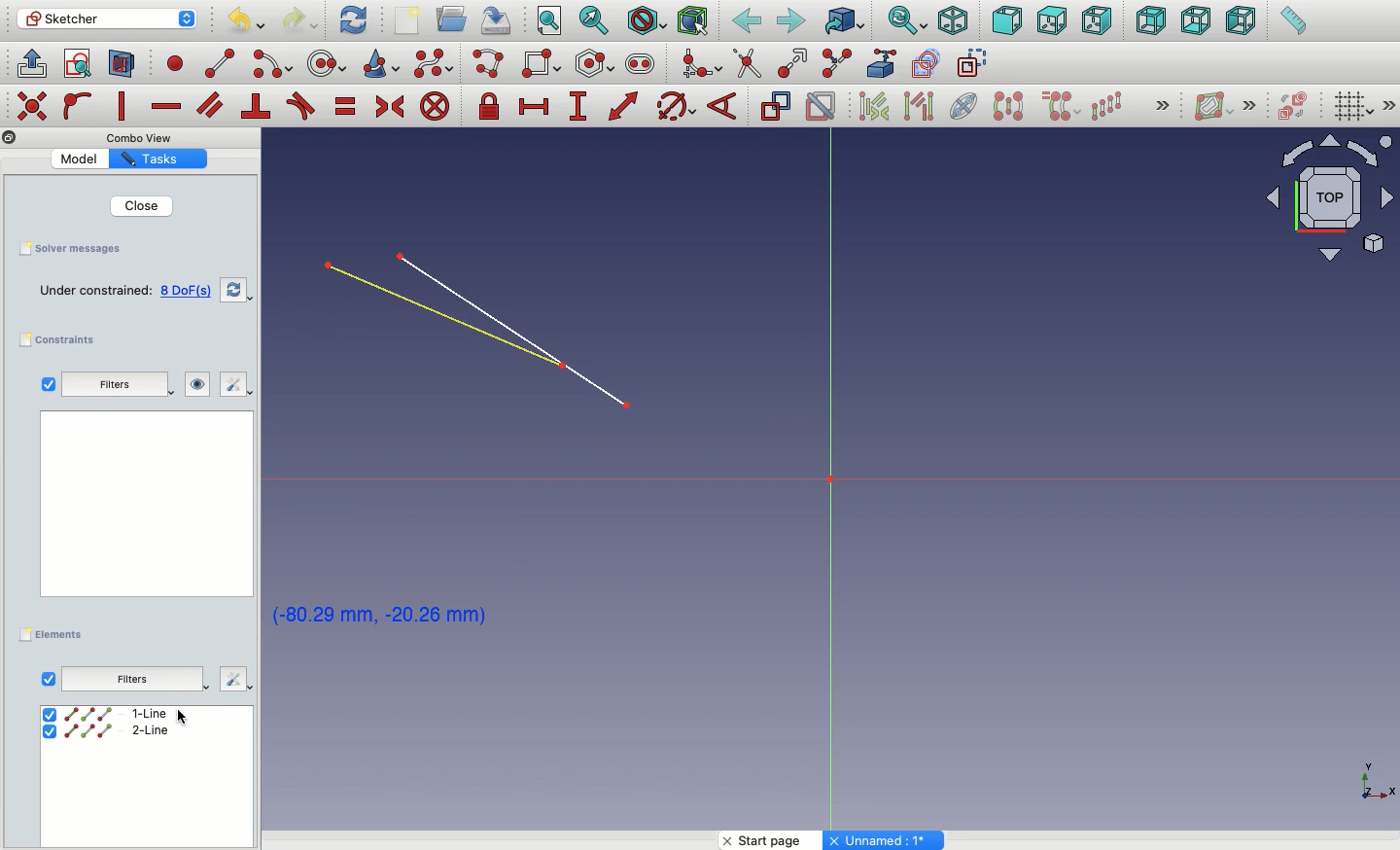 This screenshot has height=850, width=1400. What do you see at coordinates (78, 65) in the screenshot?
I see `View sketch` at bounding box center [78, 65].